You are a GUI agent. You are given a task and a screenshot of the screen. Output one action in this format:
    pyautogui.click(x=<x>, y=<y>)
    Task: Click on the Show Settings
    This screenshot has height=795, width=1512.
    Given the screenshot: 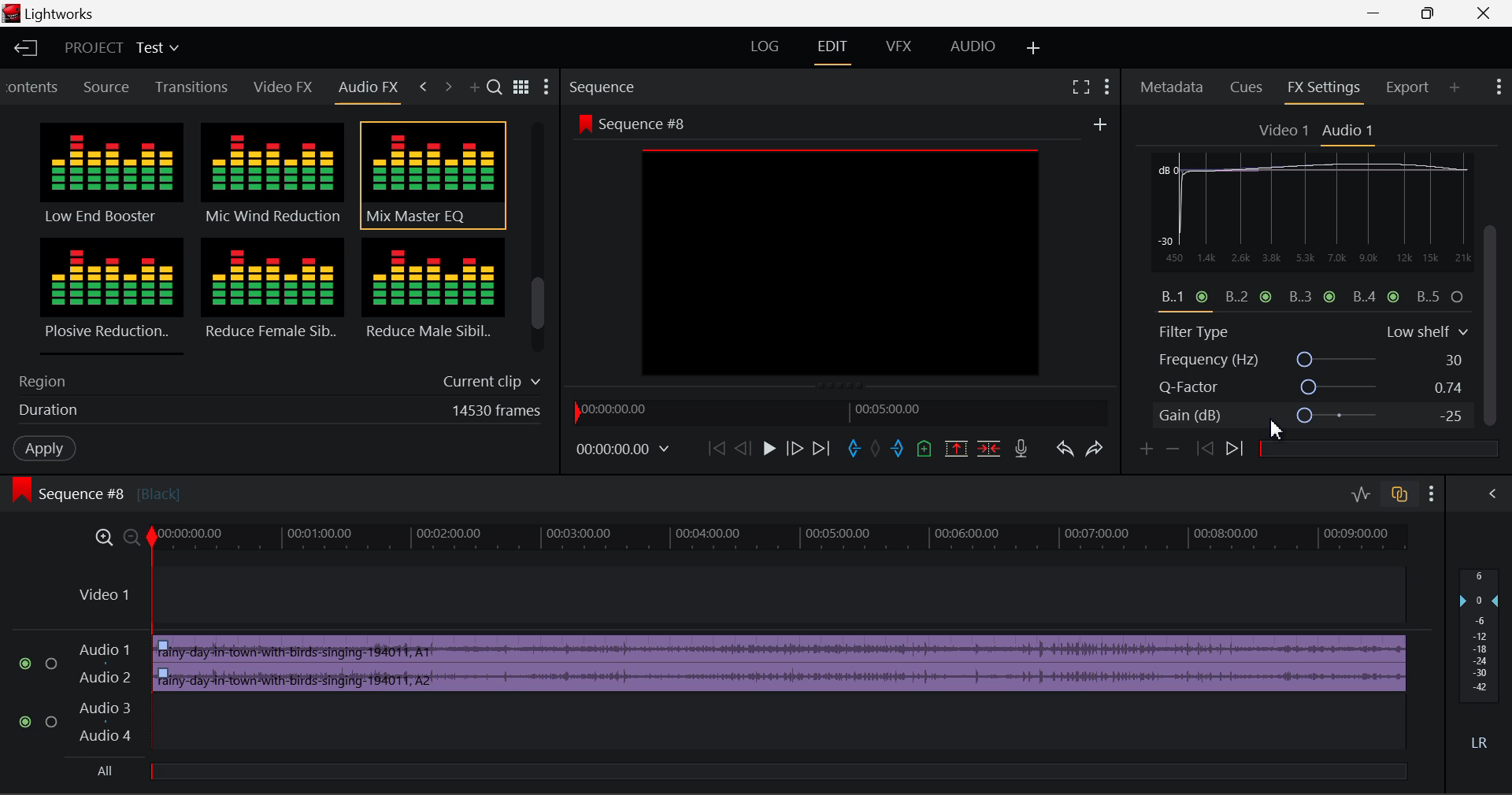 What is the action you would take?
    pyautogui.click(x=1107, y=87)
    